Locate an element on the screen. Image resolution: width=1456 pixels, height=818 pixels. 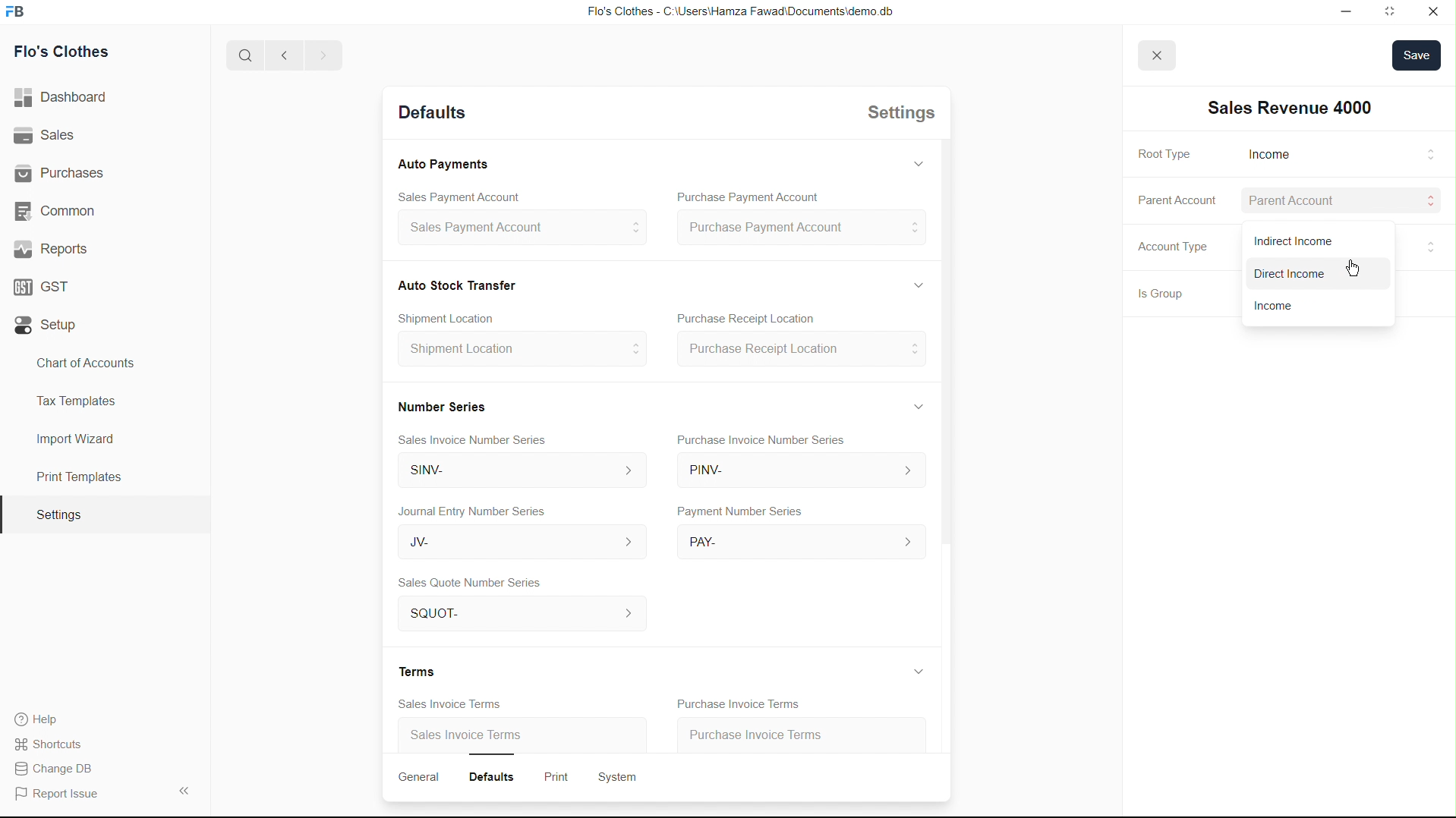
Hide  is located at coordinates (917, 162).